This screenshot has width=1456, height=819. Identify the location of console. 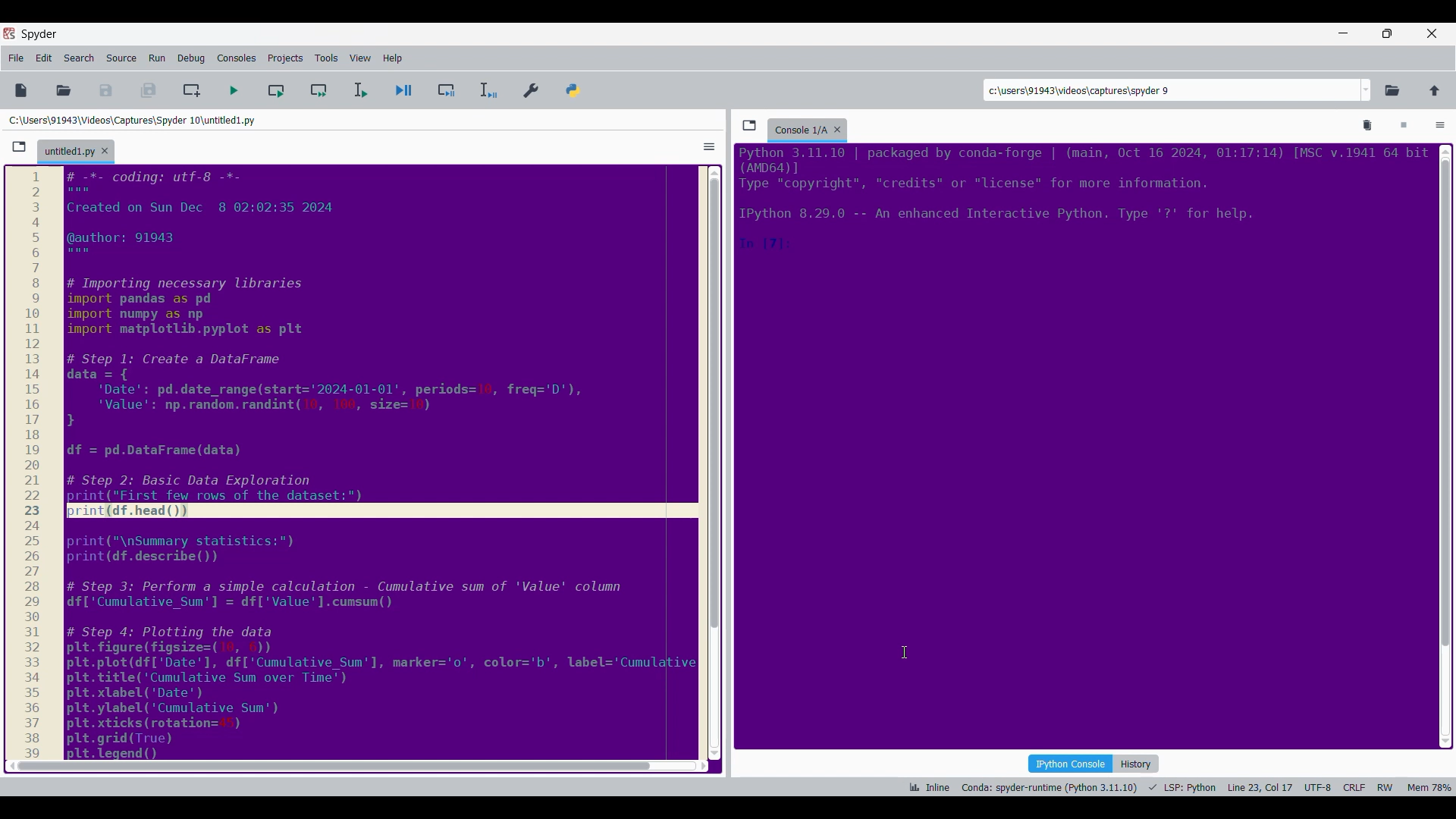
(799, 127).